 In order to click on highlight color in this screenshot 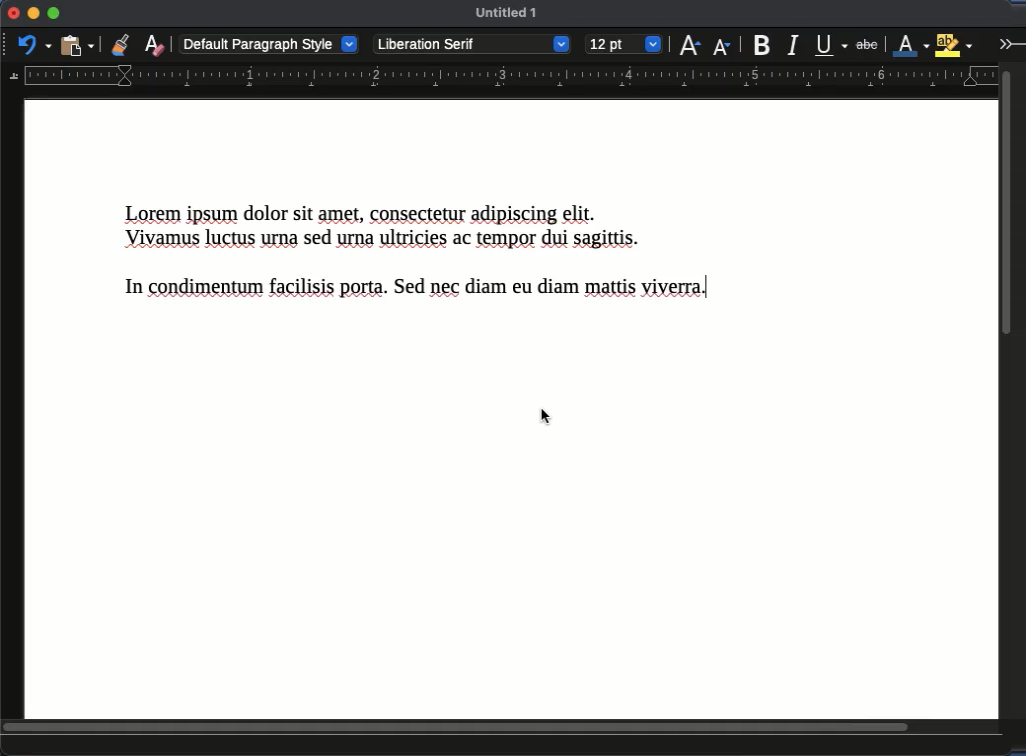, I will do `click(954, 43)`.